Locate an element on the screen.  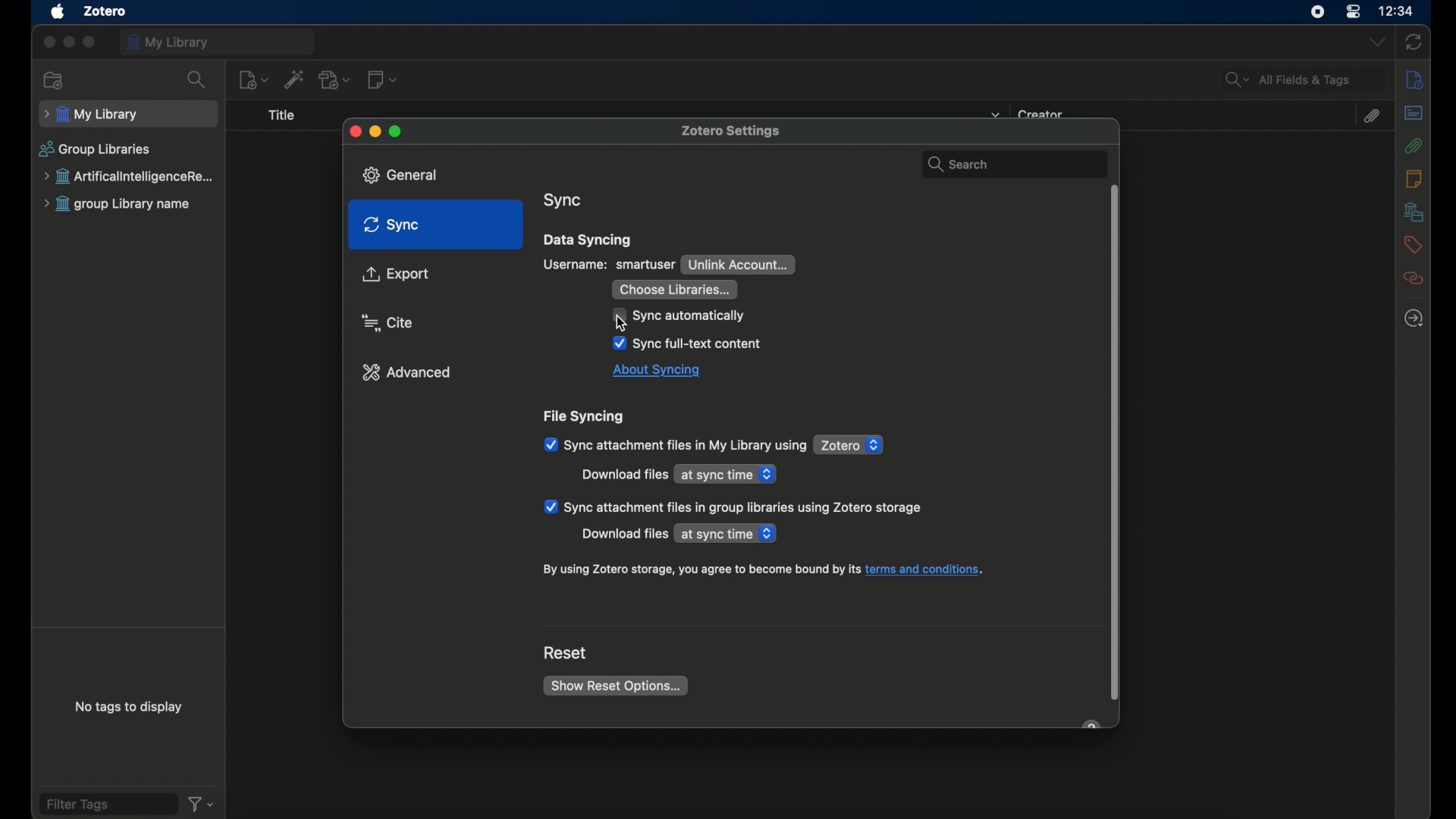
my library is located at coordinates (127, 115).